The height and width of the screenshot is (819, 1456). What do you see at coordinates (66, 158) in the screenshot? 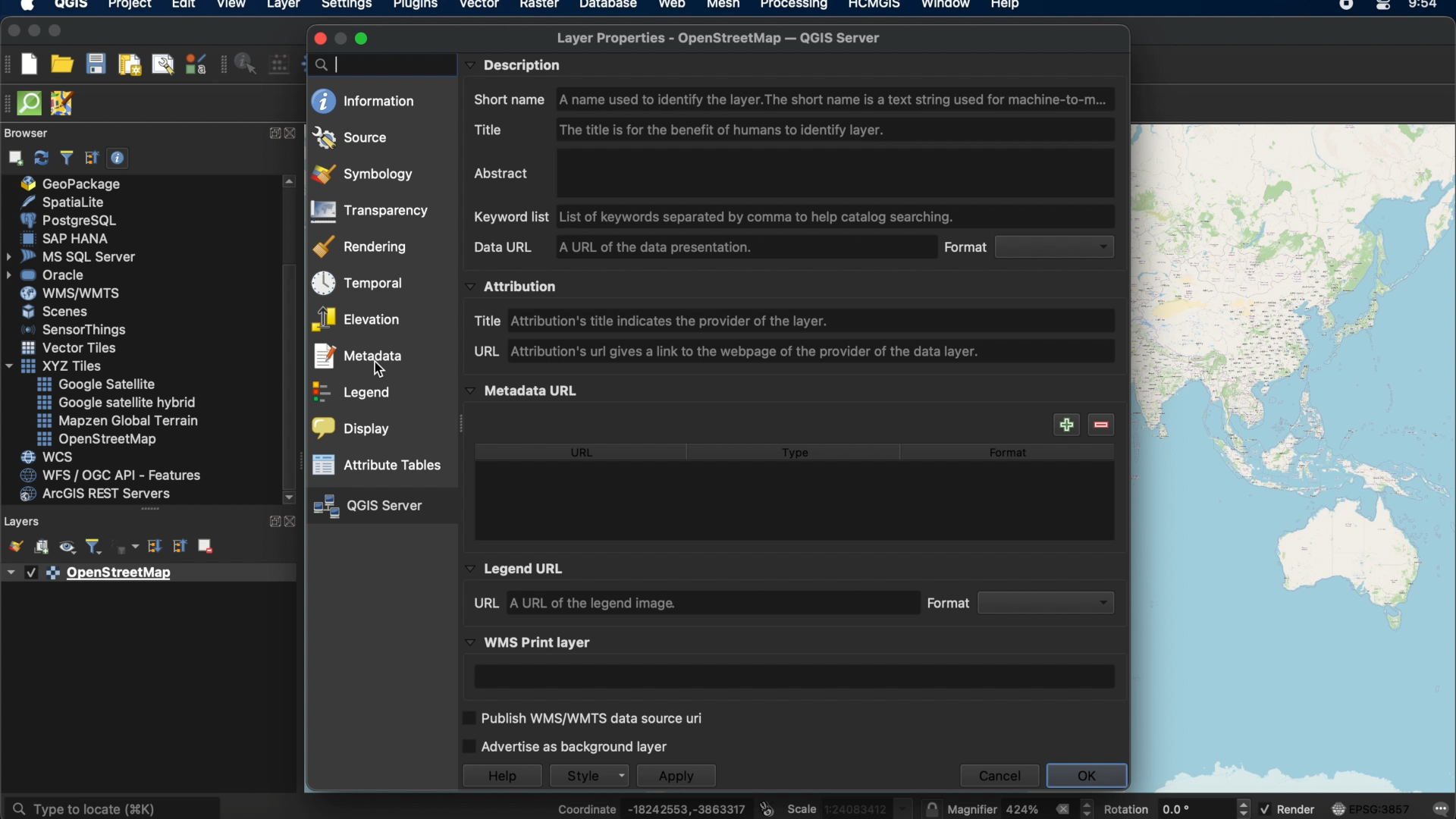
I see `filter browser` at bounding box center [66, 158].